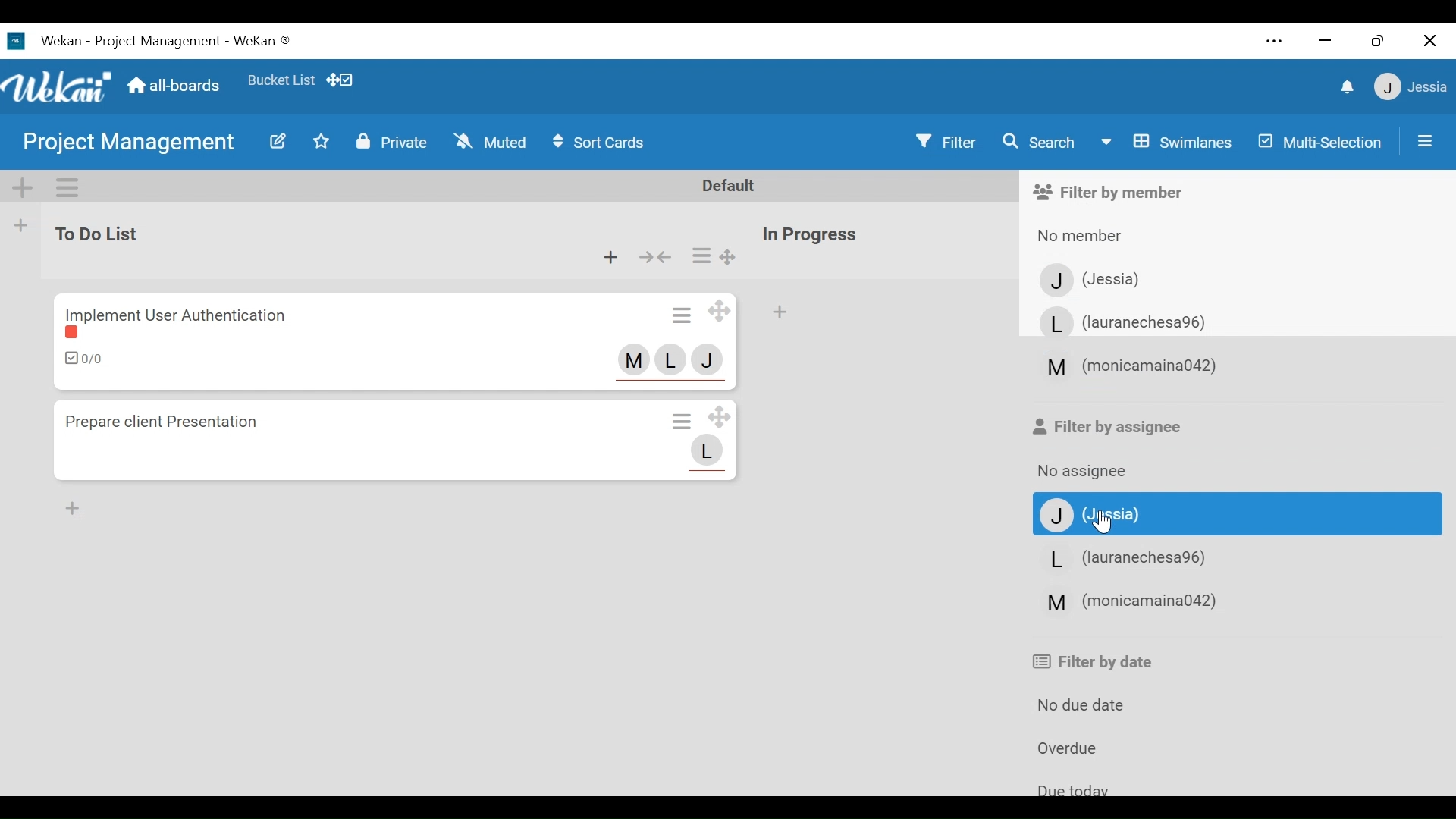 The width and height of the screenshot is (1456, 819). Describe the element at coordinates (14, 40) in the screenshot. I see `wekan icon` at that location.